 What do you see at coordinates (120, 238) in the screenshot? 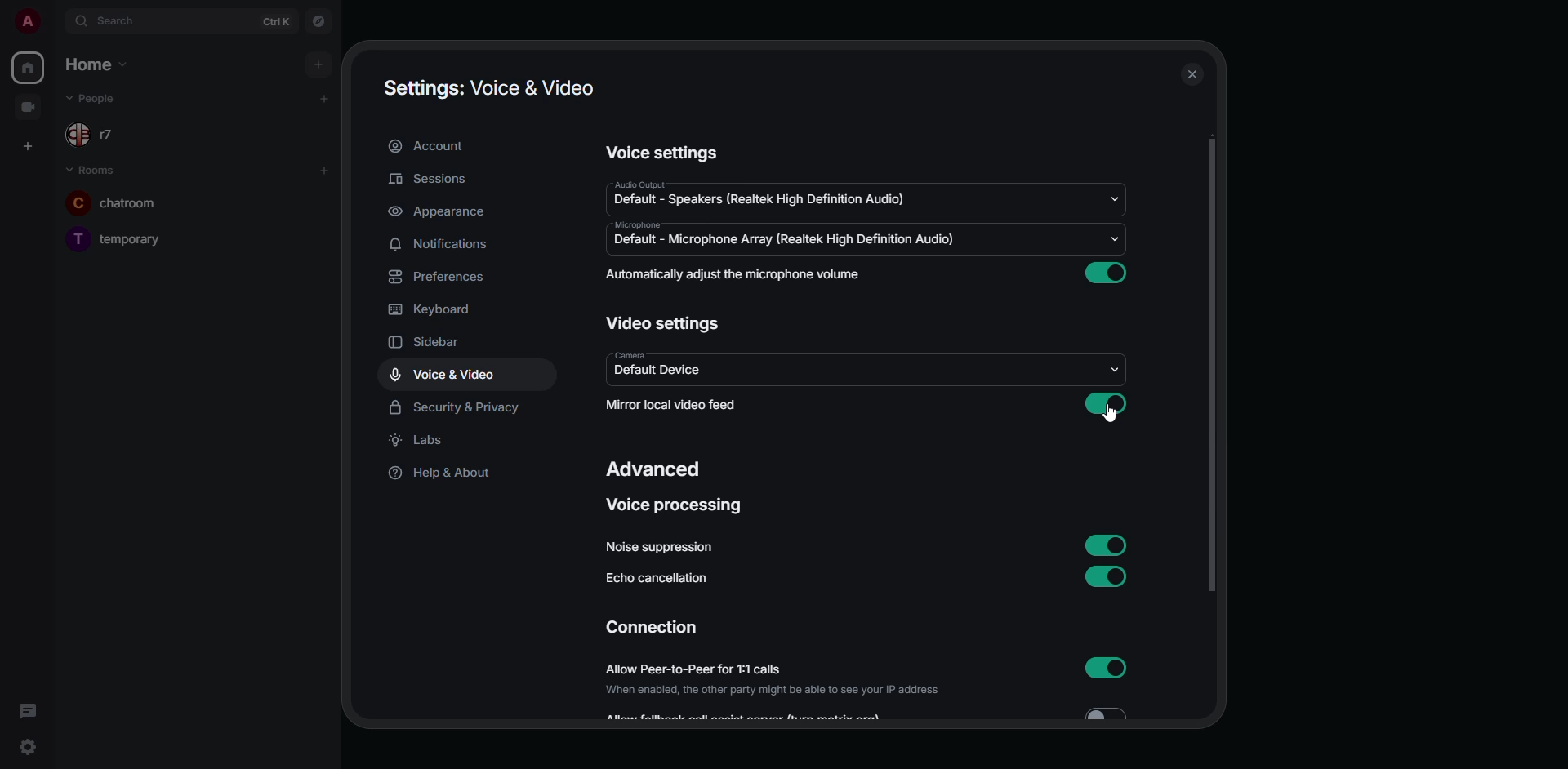
I see `temporary` at bounding box center [120, 238].